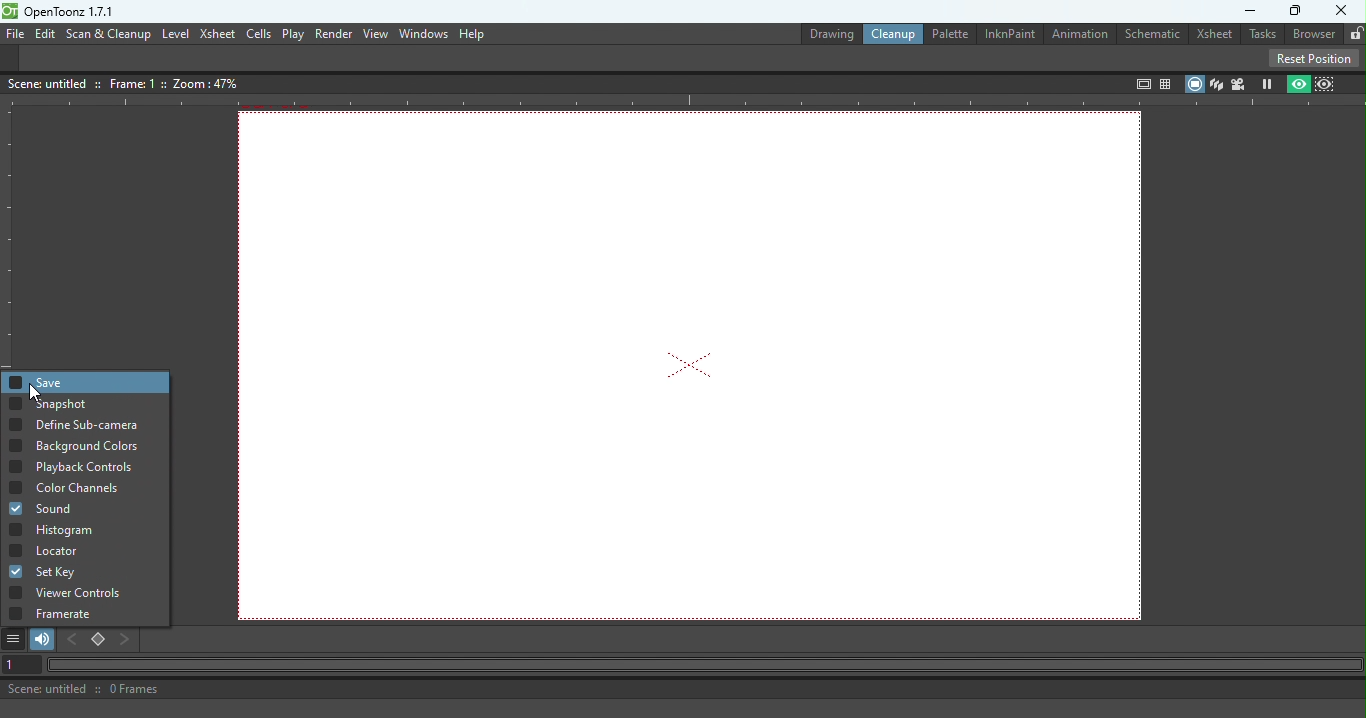  I want to click on Drawing, so click(820, 32).